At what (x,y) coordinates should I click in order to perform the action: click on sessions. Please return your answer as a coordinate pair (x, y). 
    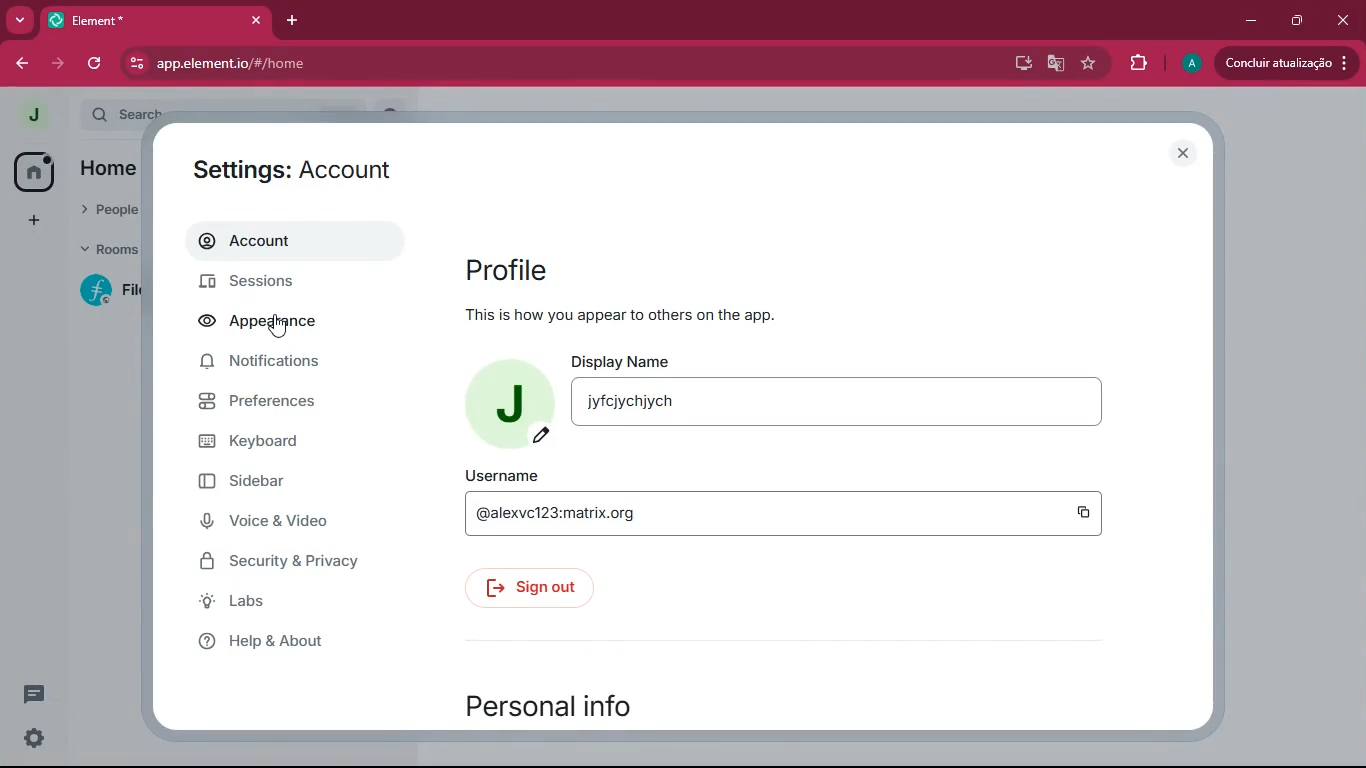
    Looking at the image, I should click on (279, 283).